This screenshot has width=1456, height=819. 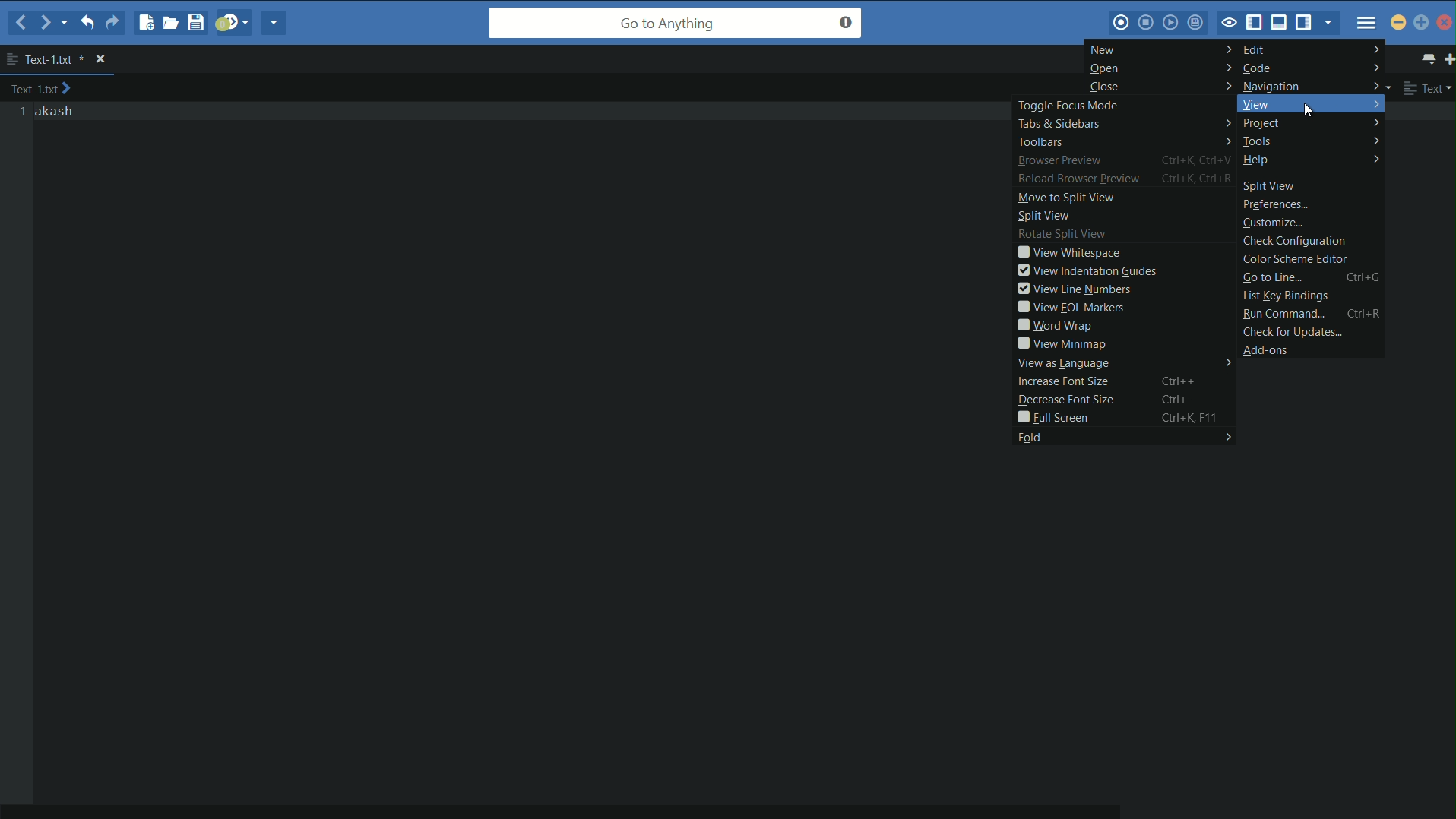 What do you see at coordinates (1311, 112) in the screenshot?
I see `Cursor` at bounding box center [1311, 112].